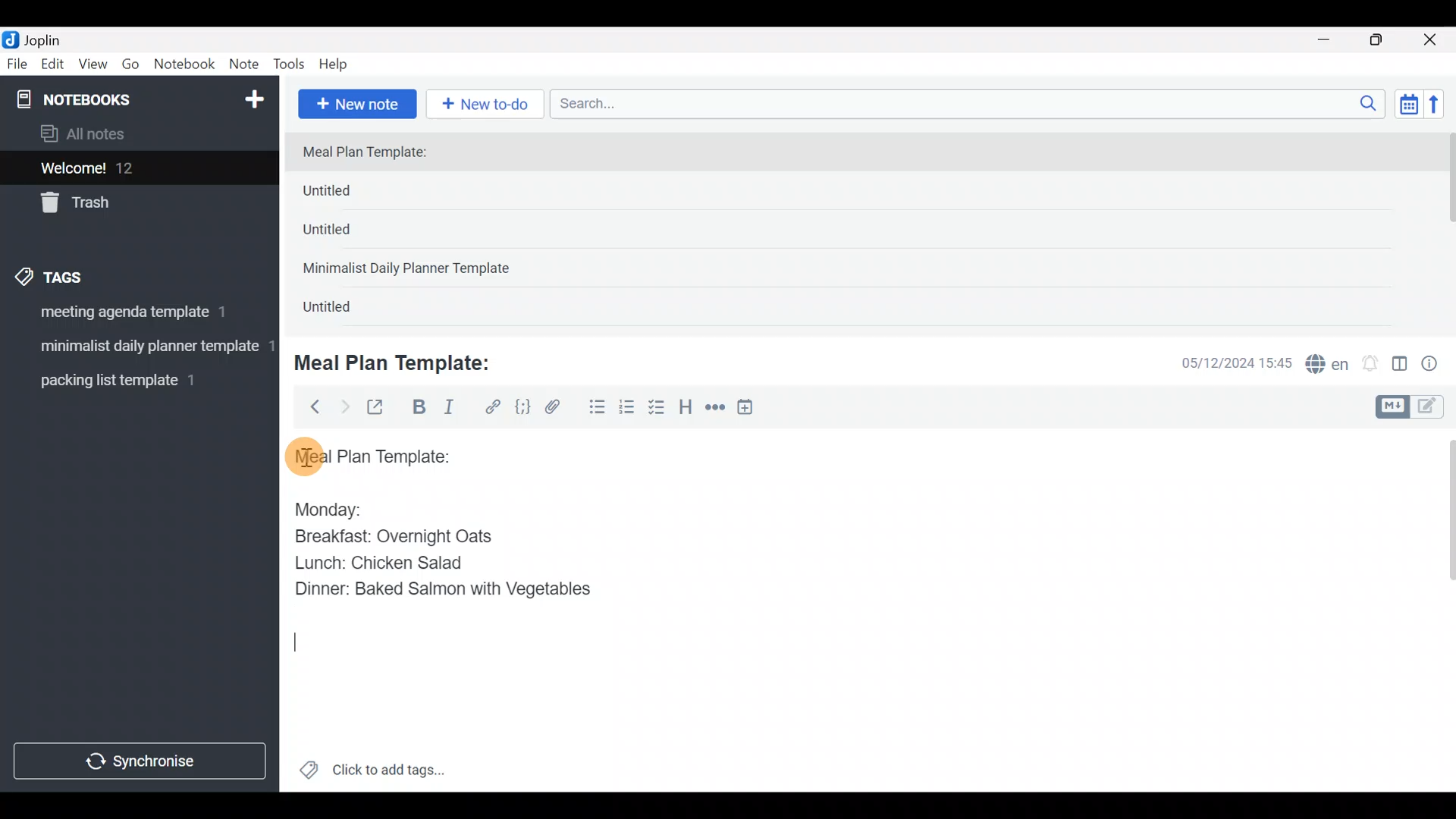 The image size is (1456, 819). What do you see at coordinates (447, 410) in the screenshot?
I see `Italic` at bounding box center [447, 410].